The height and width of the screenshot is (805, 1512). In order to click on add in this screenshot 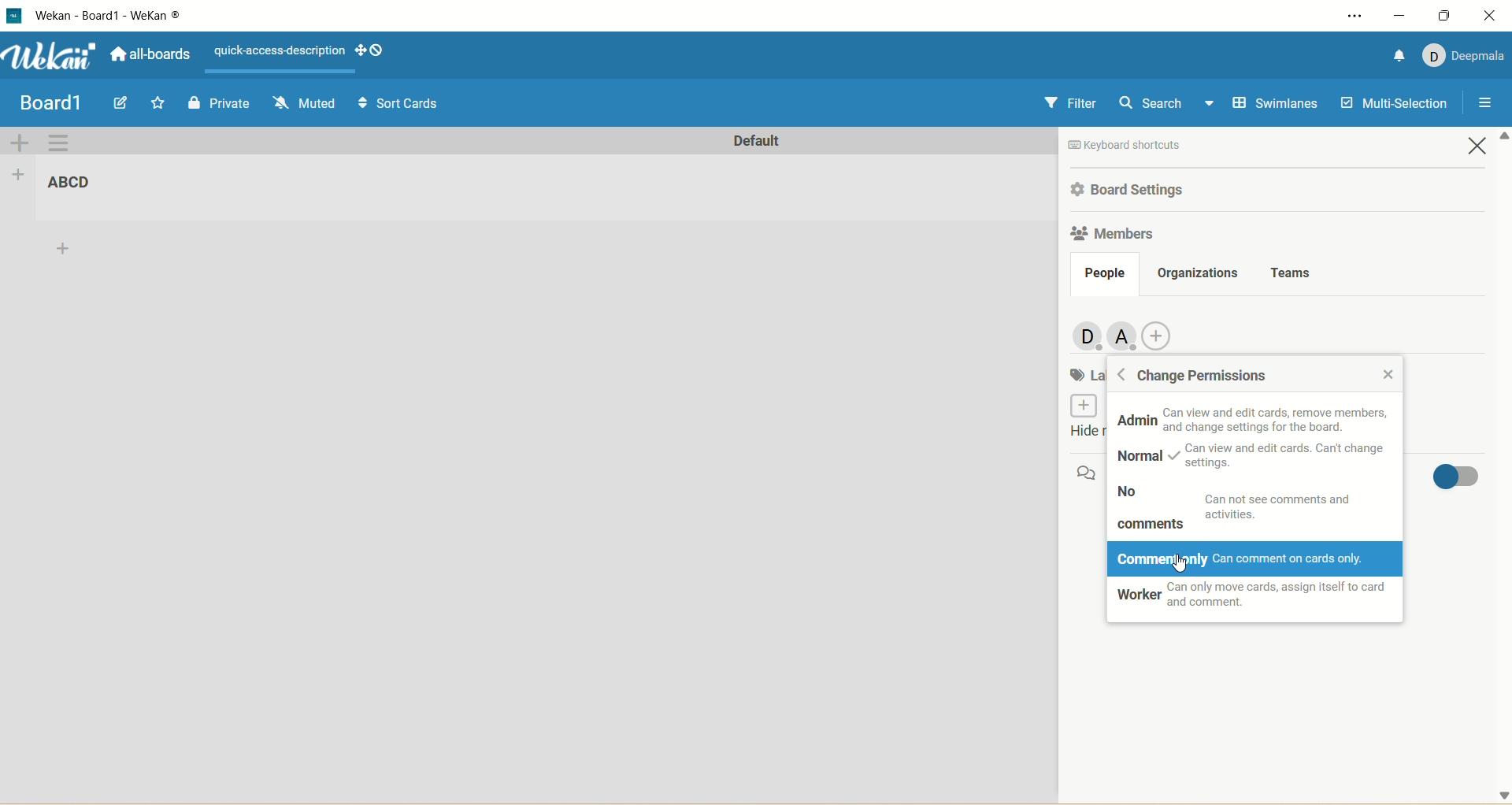, I will do `click(65, 251)`.